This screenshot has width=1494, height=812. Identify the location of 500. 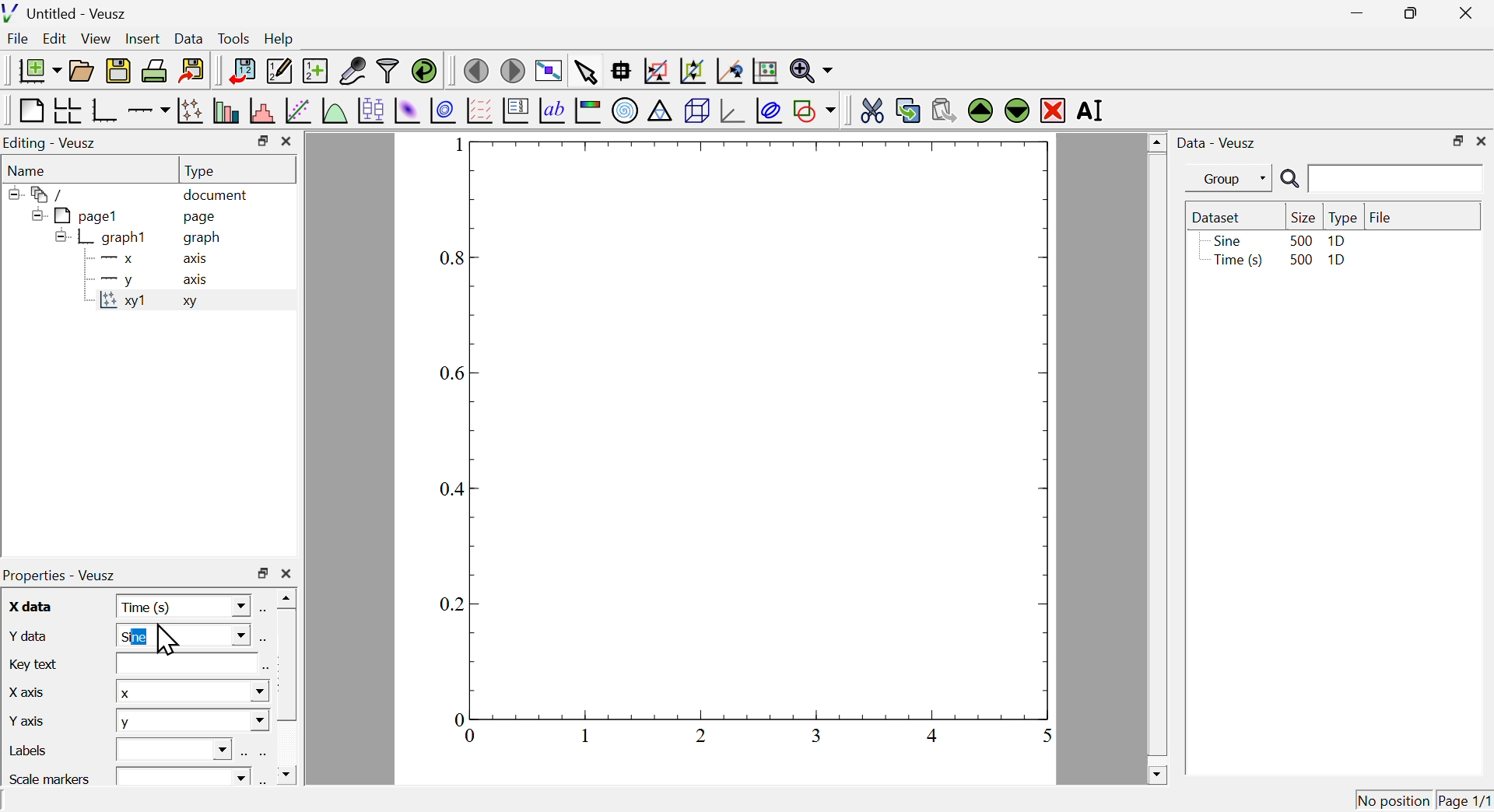
(1300, 240).